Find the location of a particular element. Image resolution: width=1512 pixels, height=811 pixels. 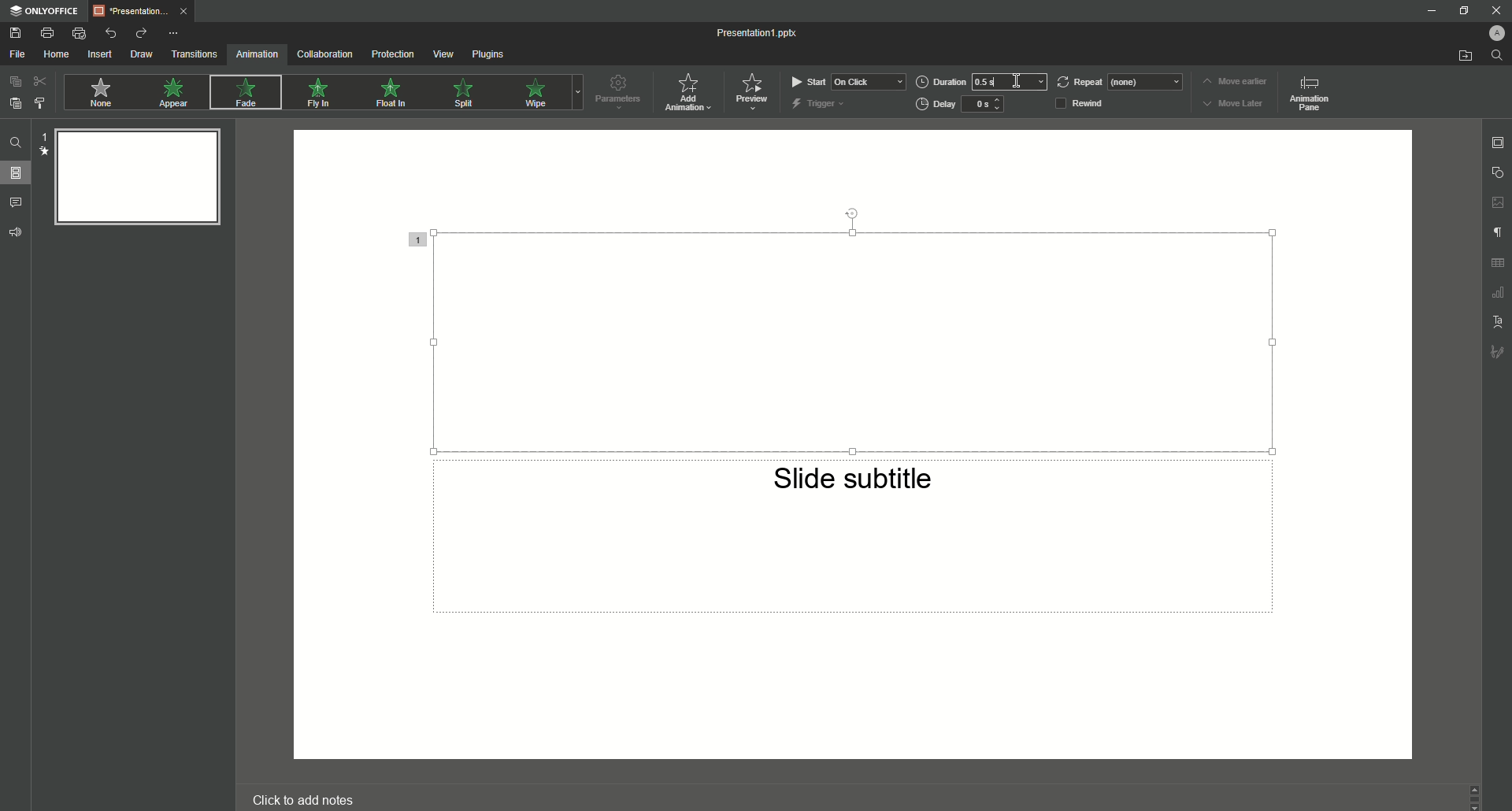

Close is located at coordinates (1496, 10).